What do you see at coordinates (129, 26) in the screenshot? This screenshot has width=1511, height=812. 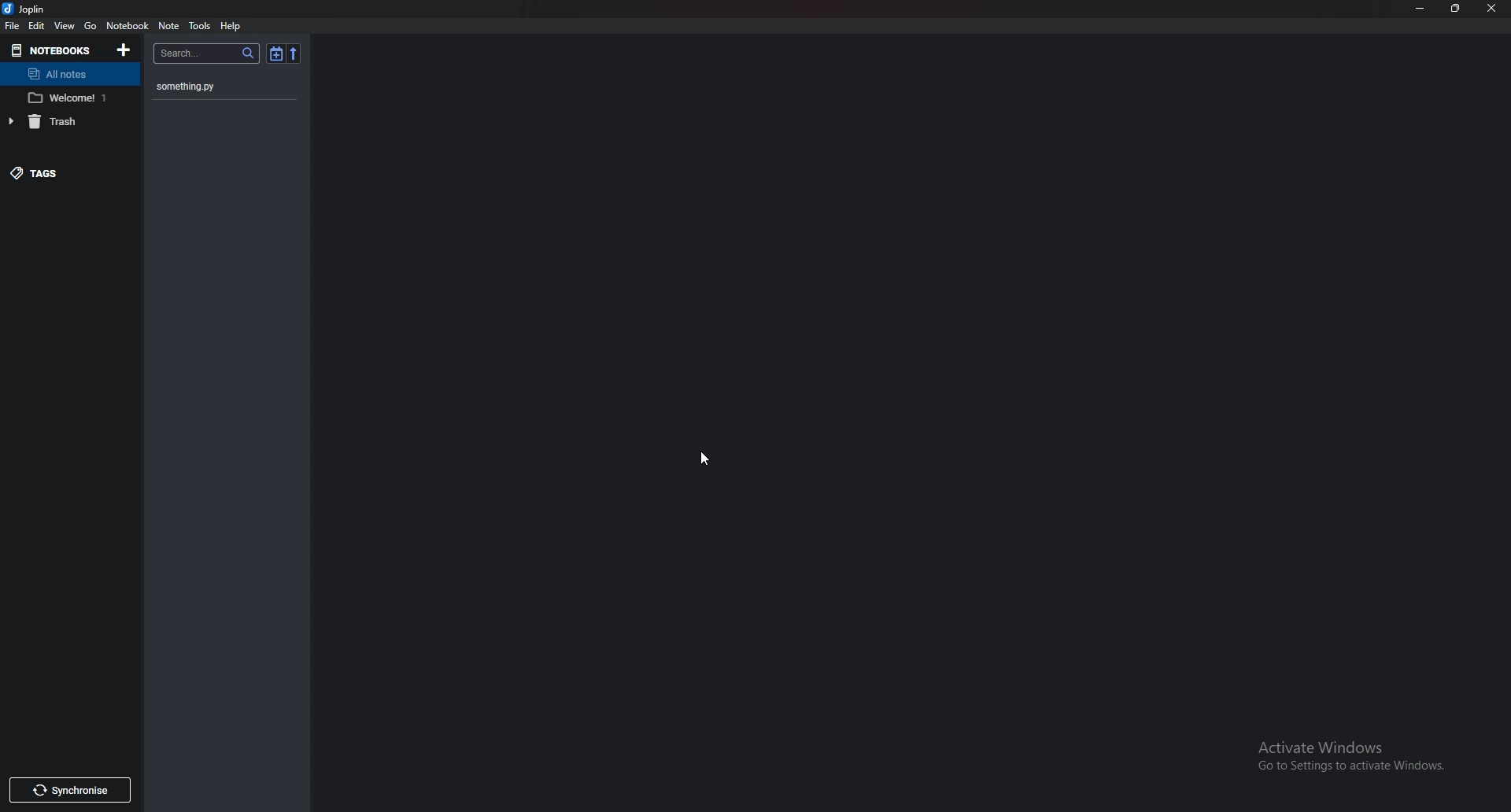 I see `Notebook` at bounding box center [129, 26].